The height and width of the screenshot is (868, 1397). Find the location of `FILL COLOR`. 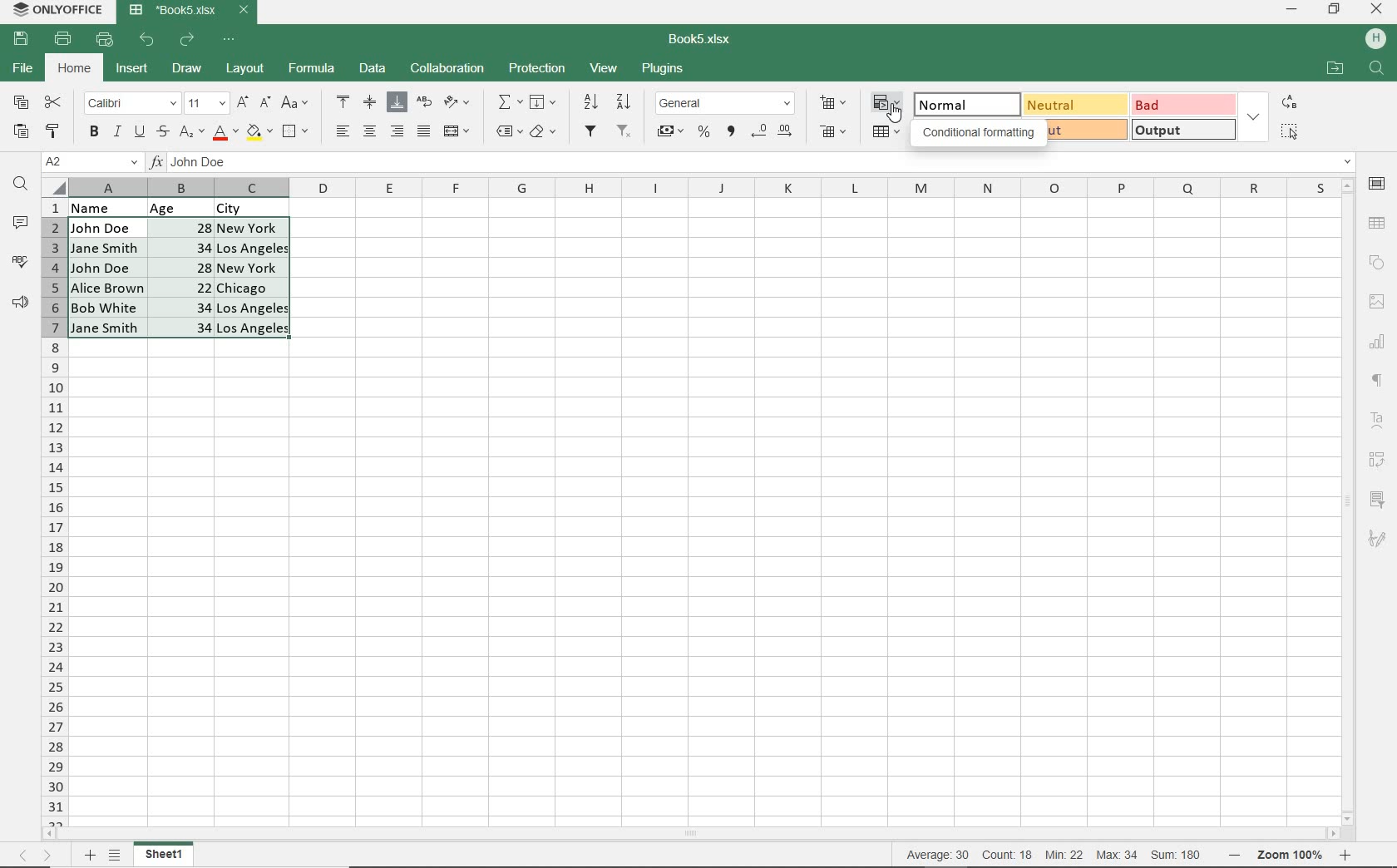

FILL COLOR is located at coordinates (259, 131).